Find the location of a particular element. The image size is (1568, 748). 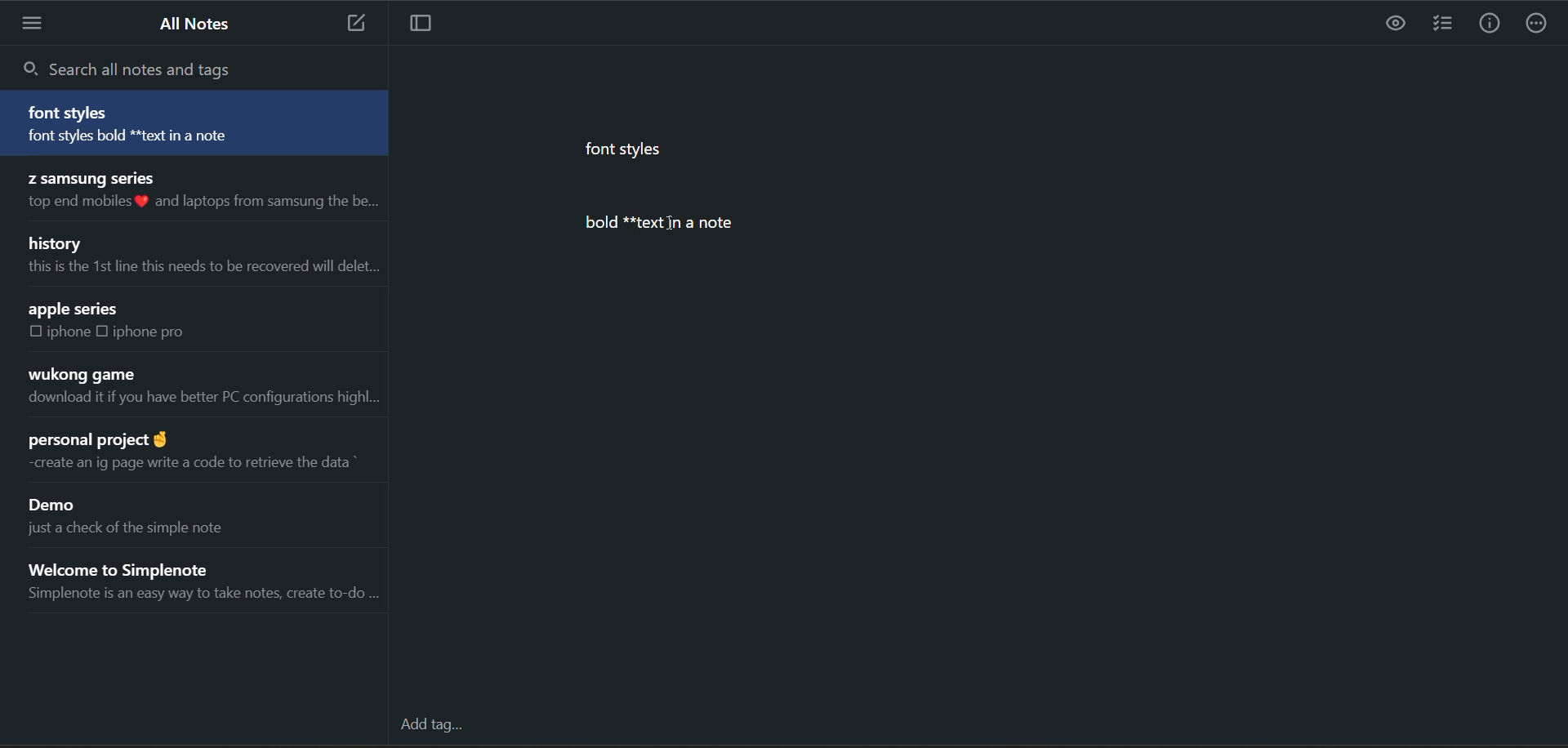

menu is located at coordinates (35, 23).